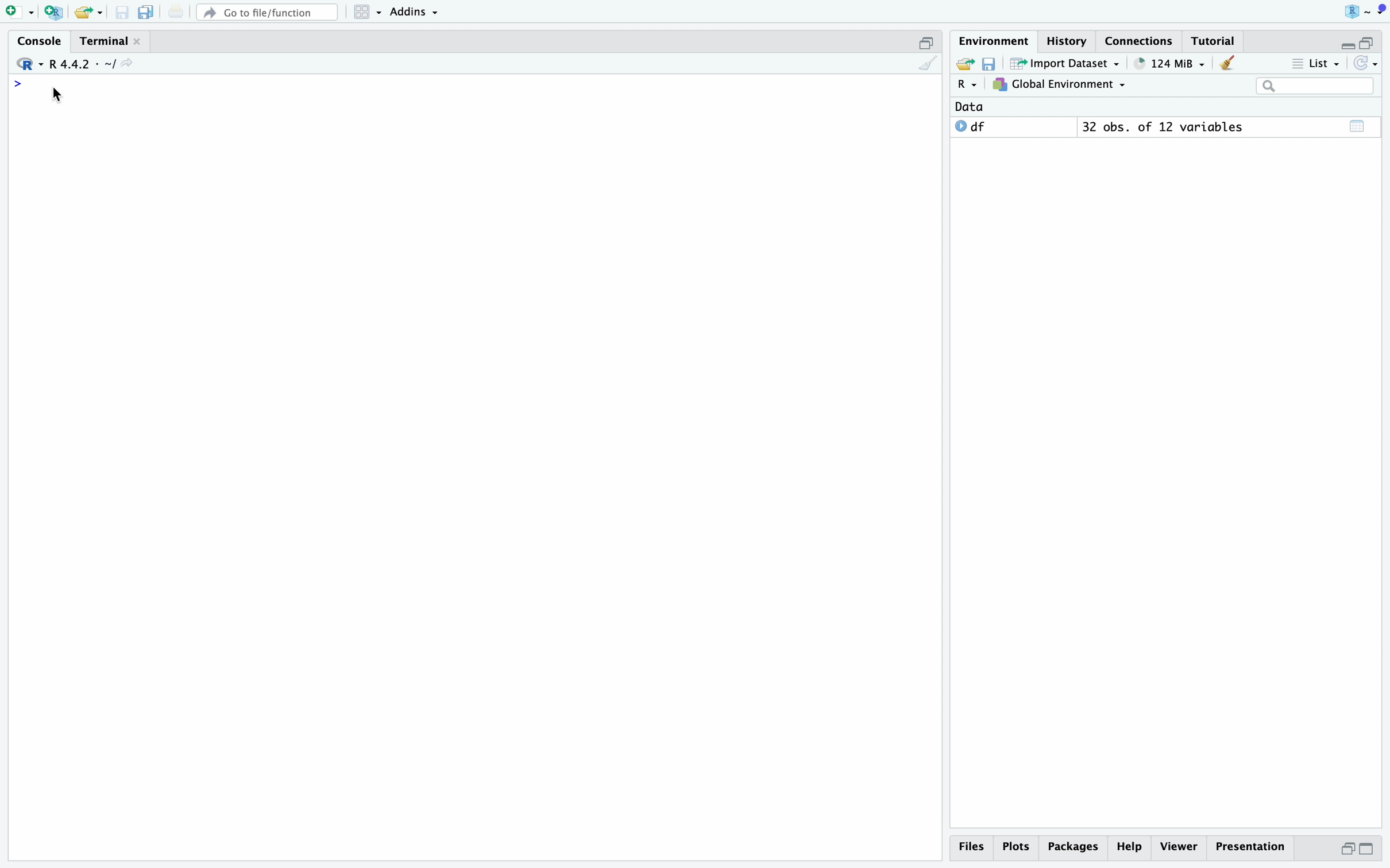  What do you see at coordinates (1018, 847) in the screenshot?
I see `plots` at bounding box center [1018, 847].